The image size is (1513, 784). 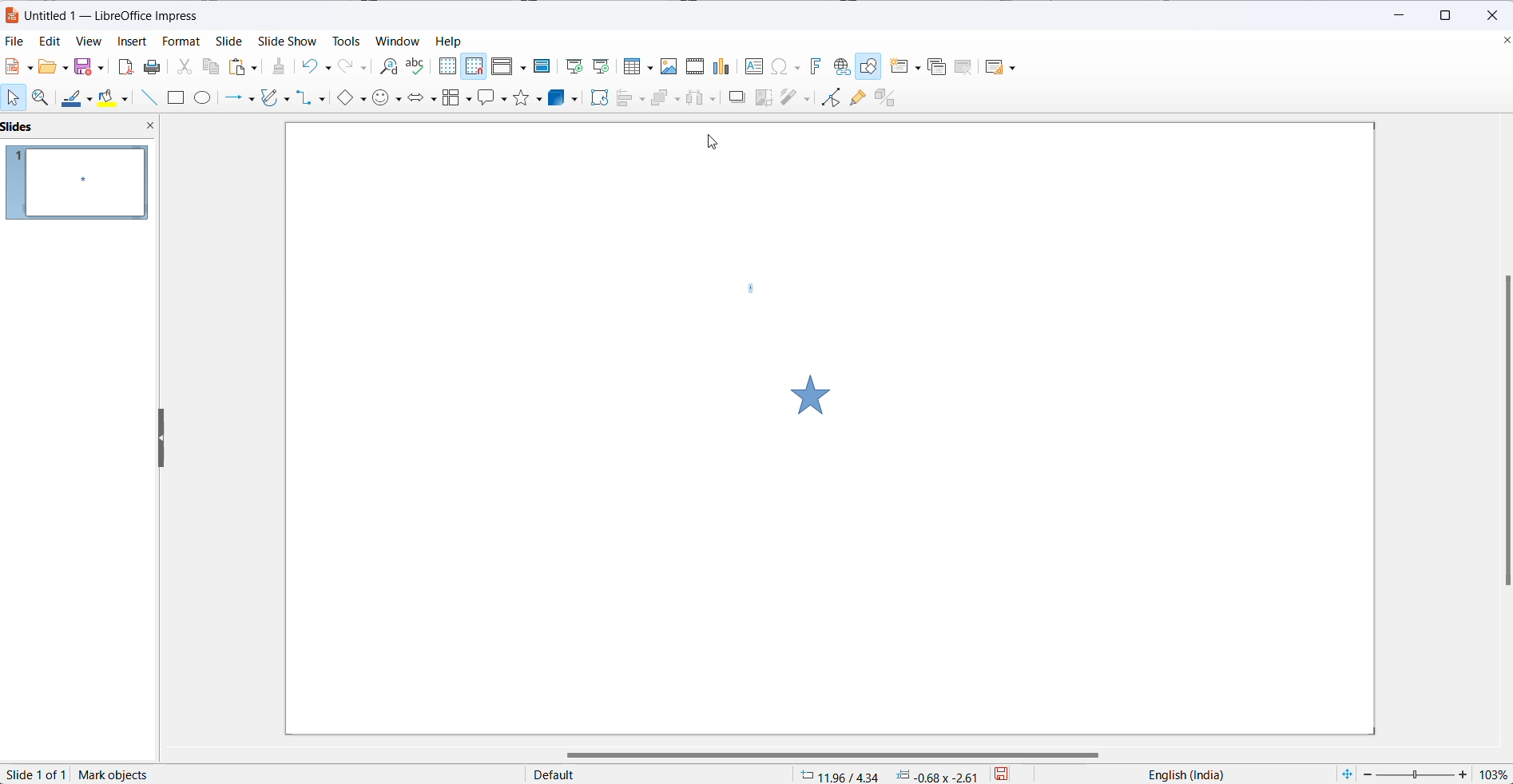 I want to click on close, so click(x=1496, y=16).